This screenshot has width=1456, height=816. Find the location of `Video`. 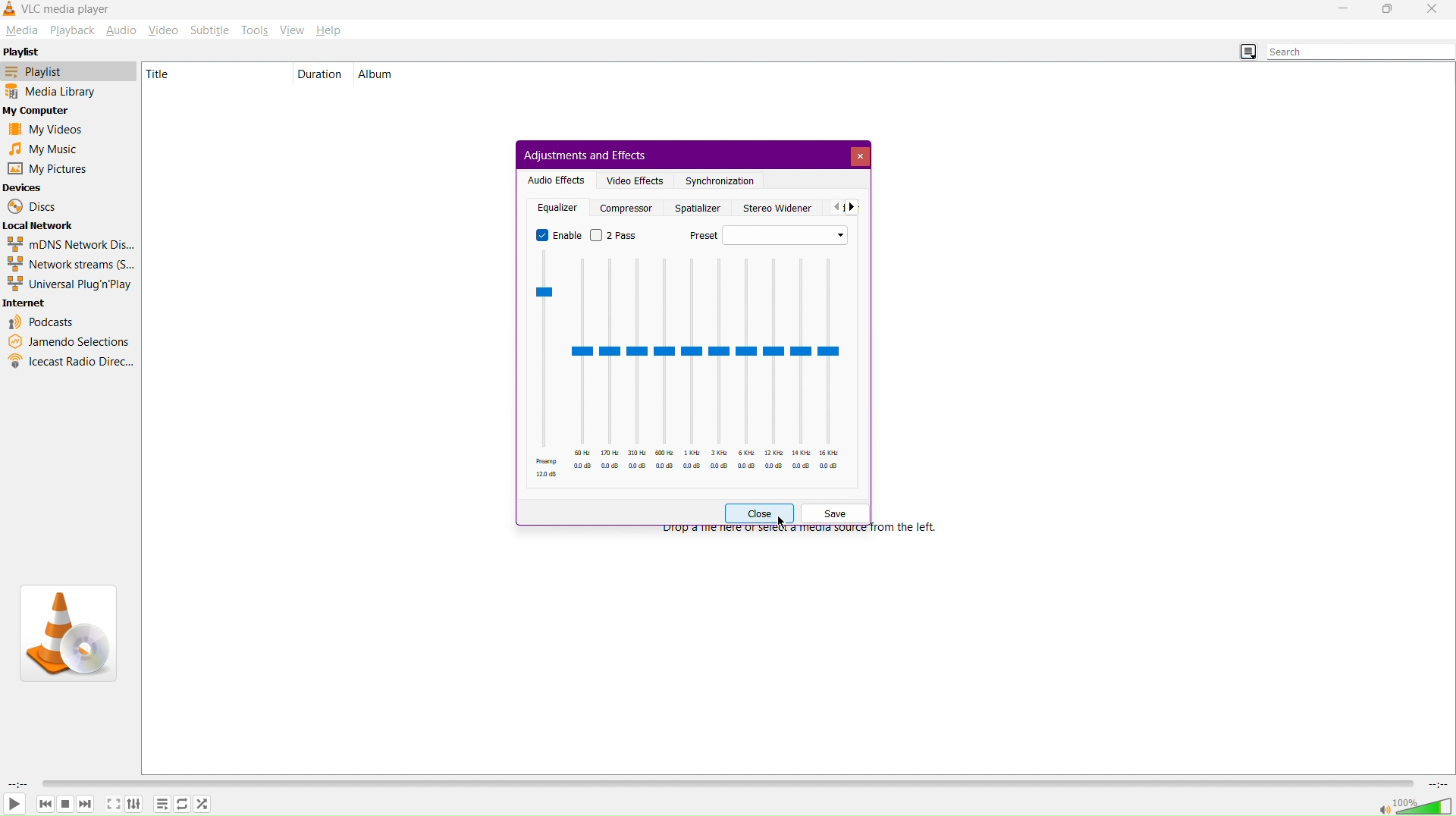

Video is located at coordinates (168, 28).